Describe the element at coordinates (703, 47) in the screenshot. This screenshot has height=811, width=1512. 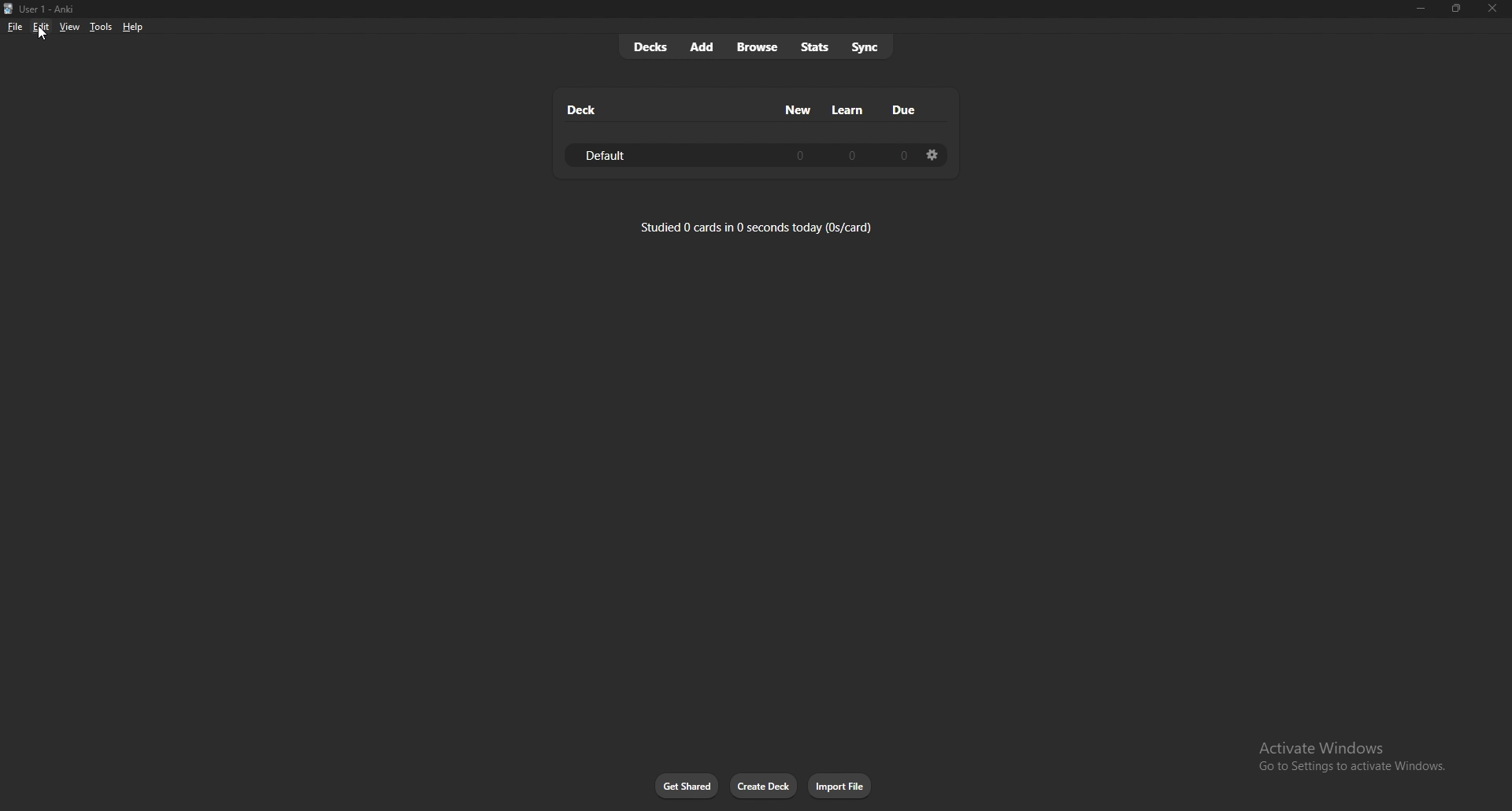
I see `add` at that location.